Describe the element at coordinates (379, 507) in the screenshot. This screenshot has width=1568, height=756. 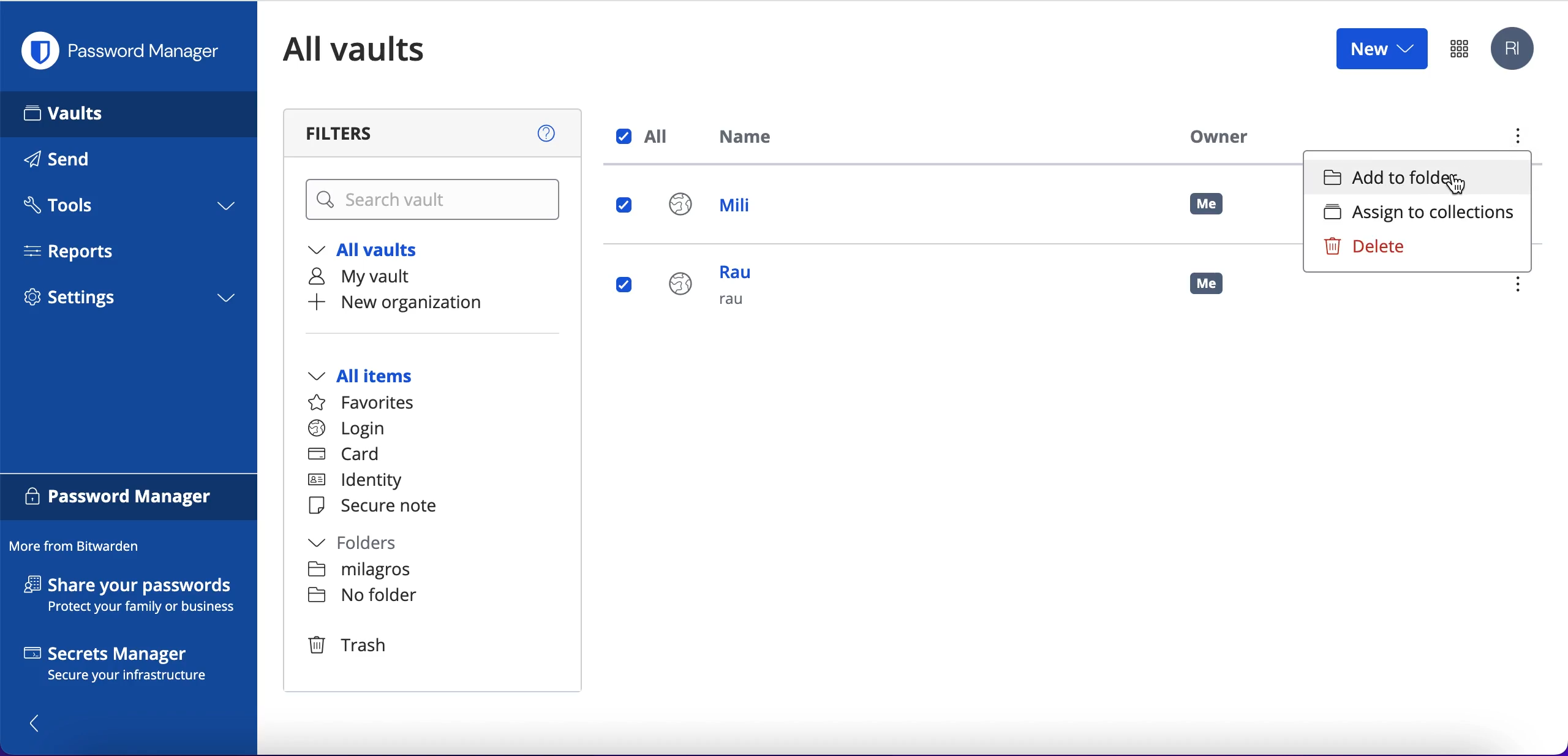
I see `secure note` at that location.